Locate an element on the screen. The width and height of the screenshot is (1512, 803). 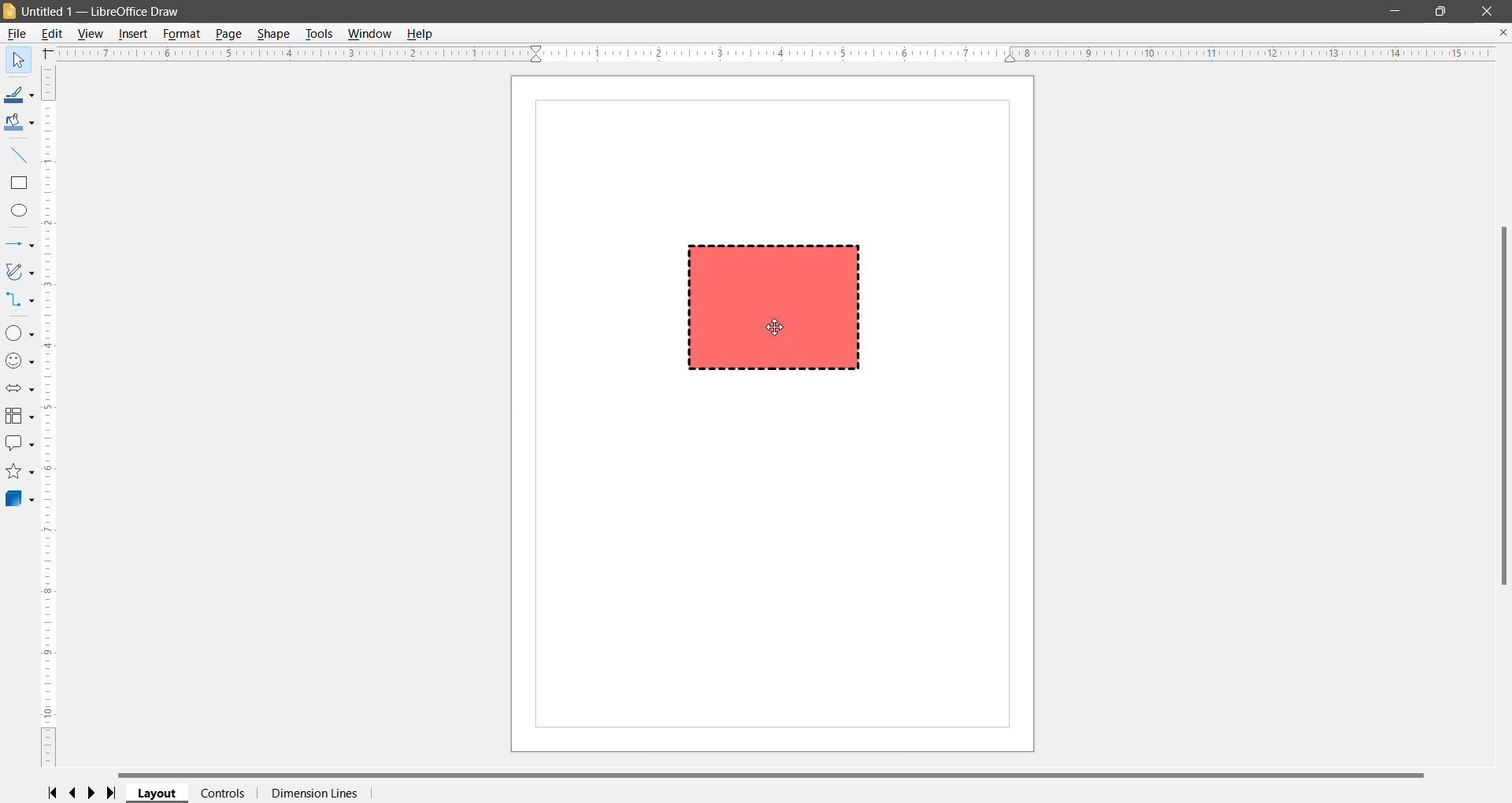
Insert Line is located at coordinates (20, 155).